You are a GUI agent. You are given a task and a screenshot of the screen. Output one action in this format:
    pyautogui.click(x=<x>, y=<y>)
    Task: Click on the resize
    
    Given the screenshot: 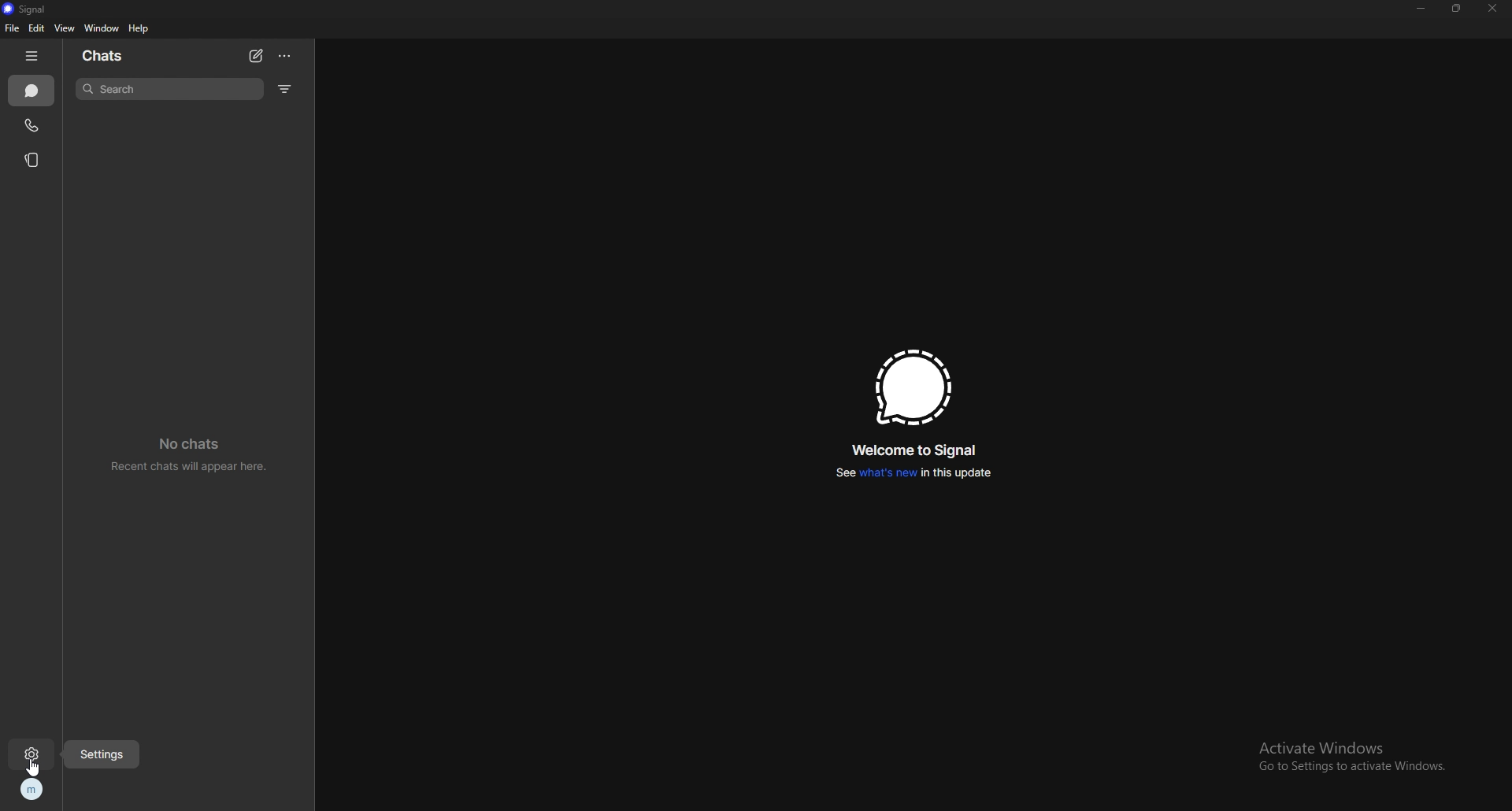 What is the action you would take?
    pyautogui.click(x=1457, y=8)
    